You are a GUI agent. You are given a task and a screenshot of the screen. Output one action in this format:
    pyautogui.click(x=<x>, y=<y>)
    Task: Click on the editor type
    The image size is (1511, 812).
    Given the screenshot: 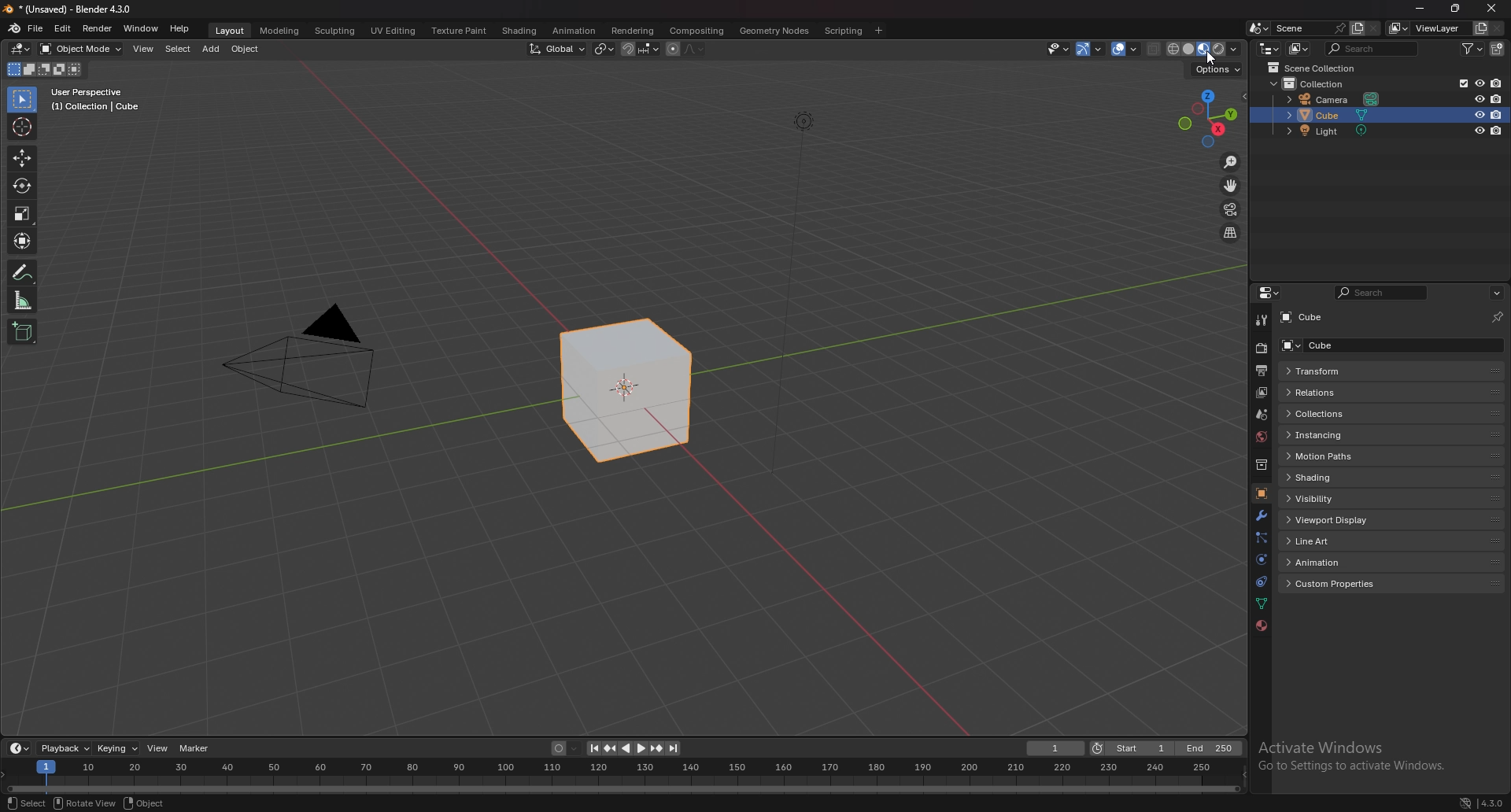 What is the action you would take?
    pyautogui.click(x=1269, y=48)
    